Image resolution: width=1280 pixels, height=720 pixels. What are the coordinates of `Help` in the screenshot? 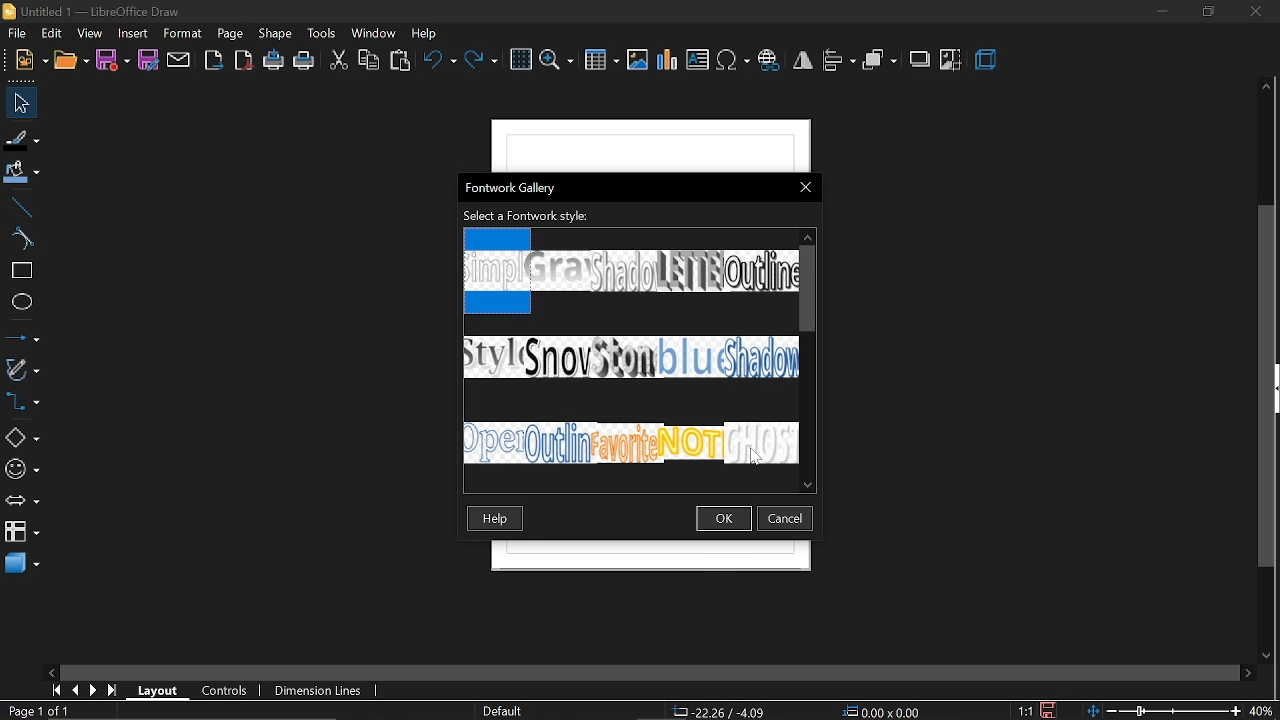 It's located at (496, 519).